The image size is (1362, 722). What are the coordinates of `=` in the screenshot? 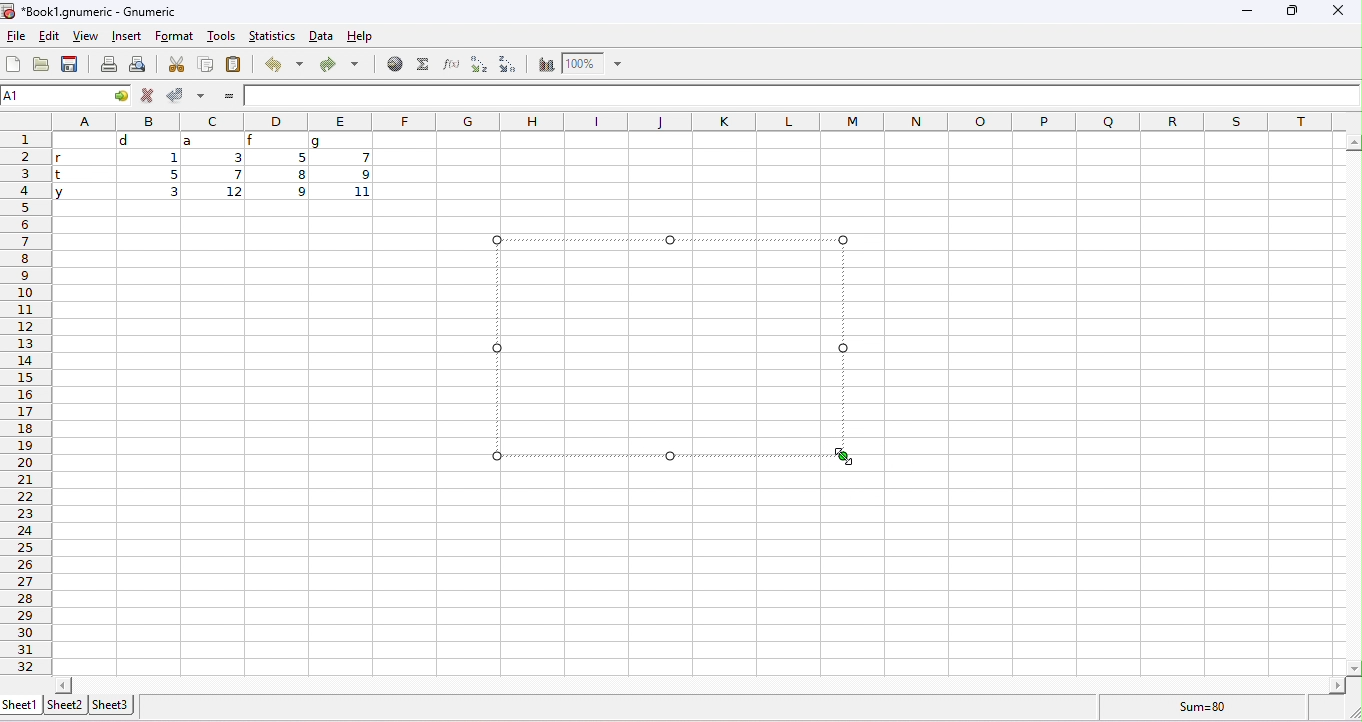 It's located at (231, 96).